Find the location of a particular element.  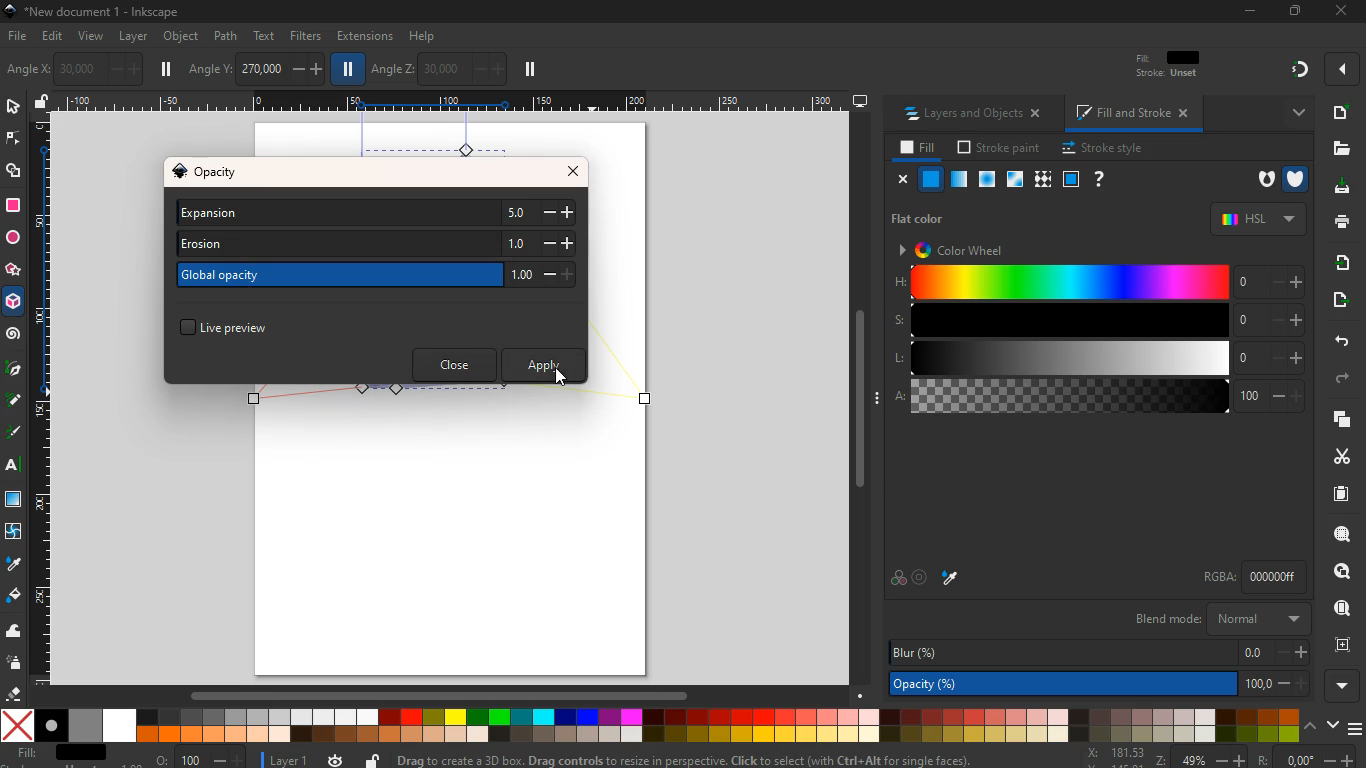

glass is located at coordinates (1013, 180).